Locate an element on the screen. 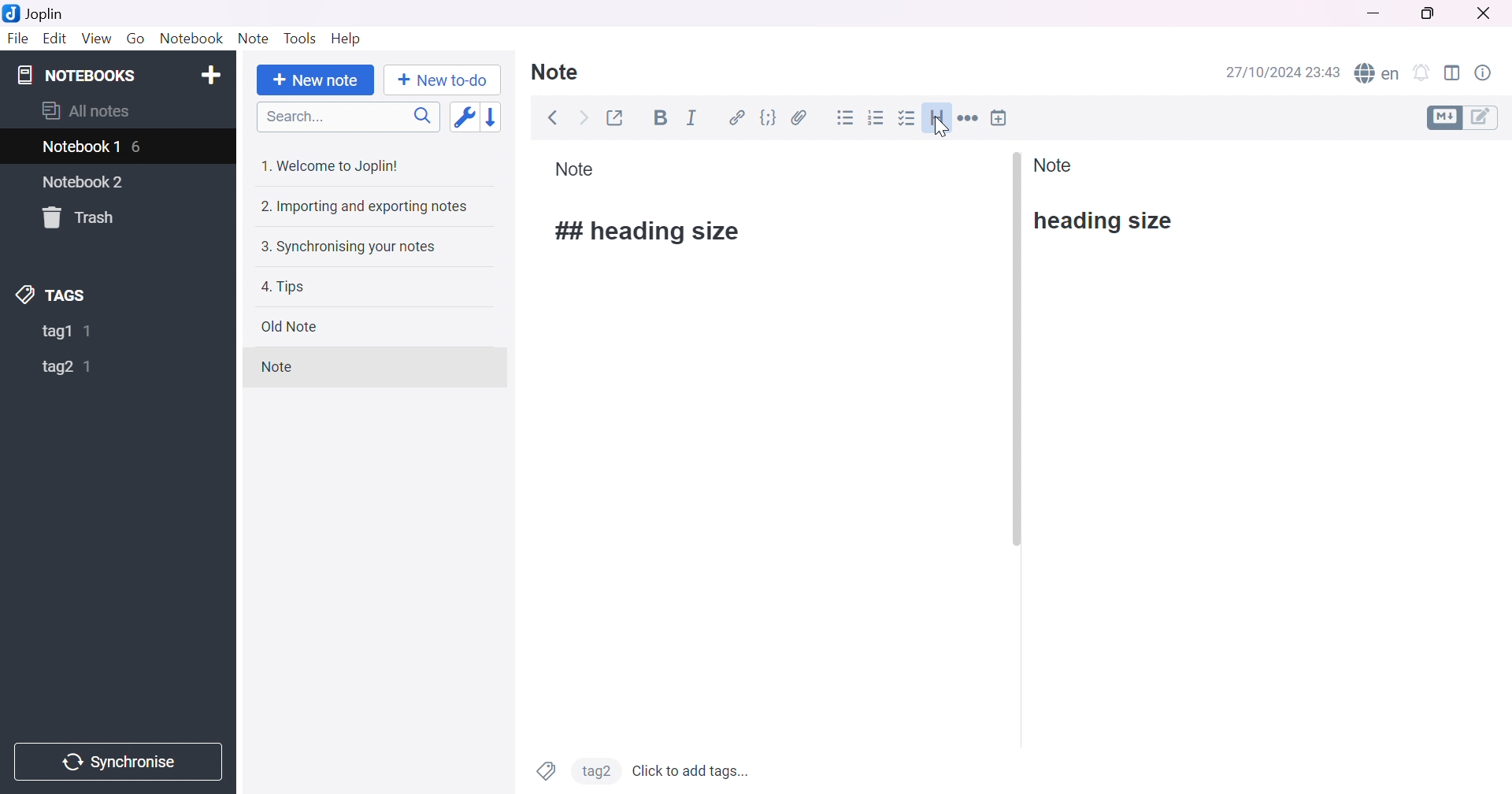 The height and width of the screenshot is (794, 1512). Edit is located at coordinates (56, 39).